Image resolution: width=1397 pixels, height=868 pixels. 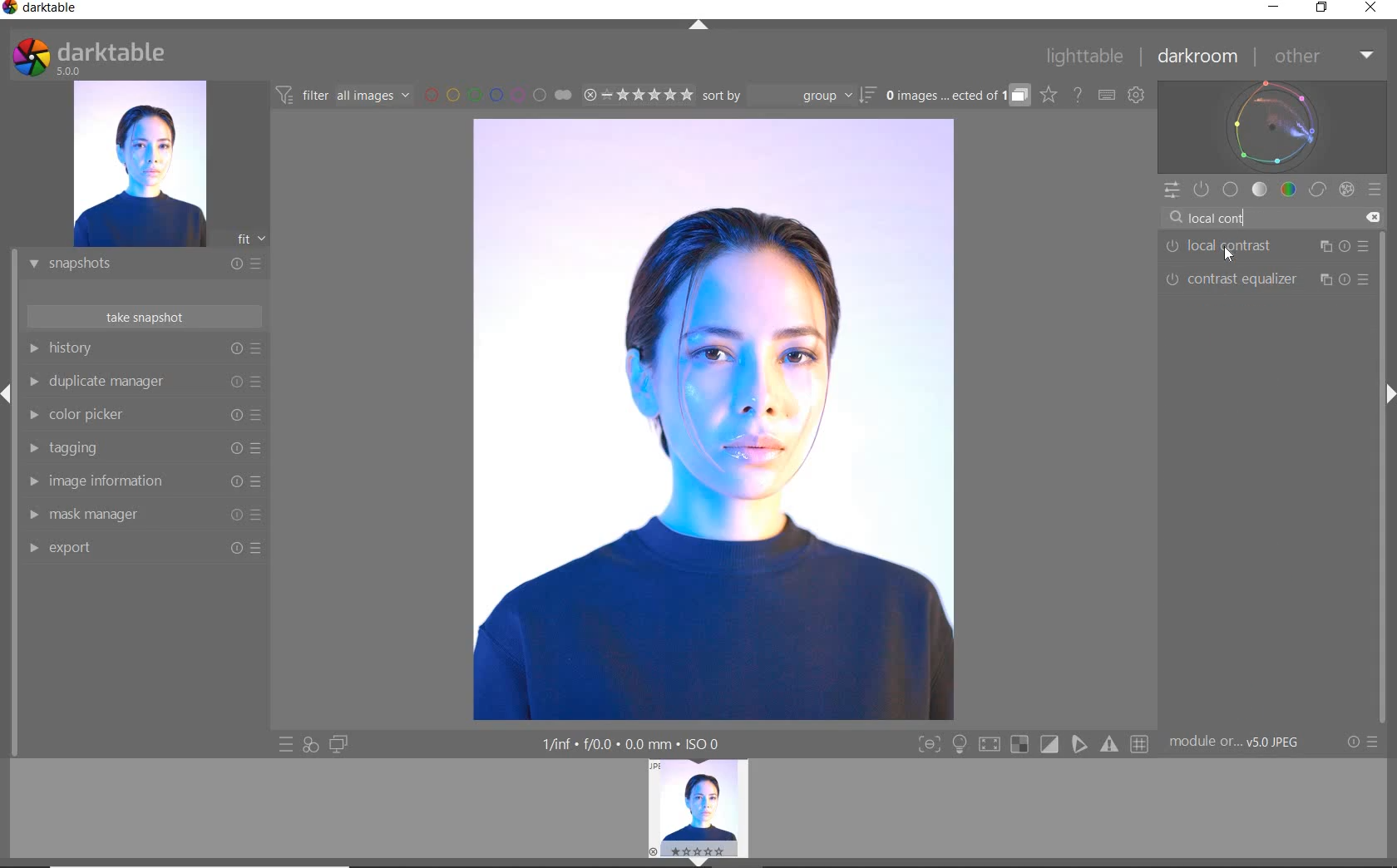 What do you see at coordinates (139, 486) in the screenshot?
I see `IMAGE INFORMATION` at bounding box center [139, 486].